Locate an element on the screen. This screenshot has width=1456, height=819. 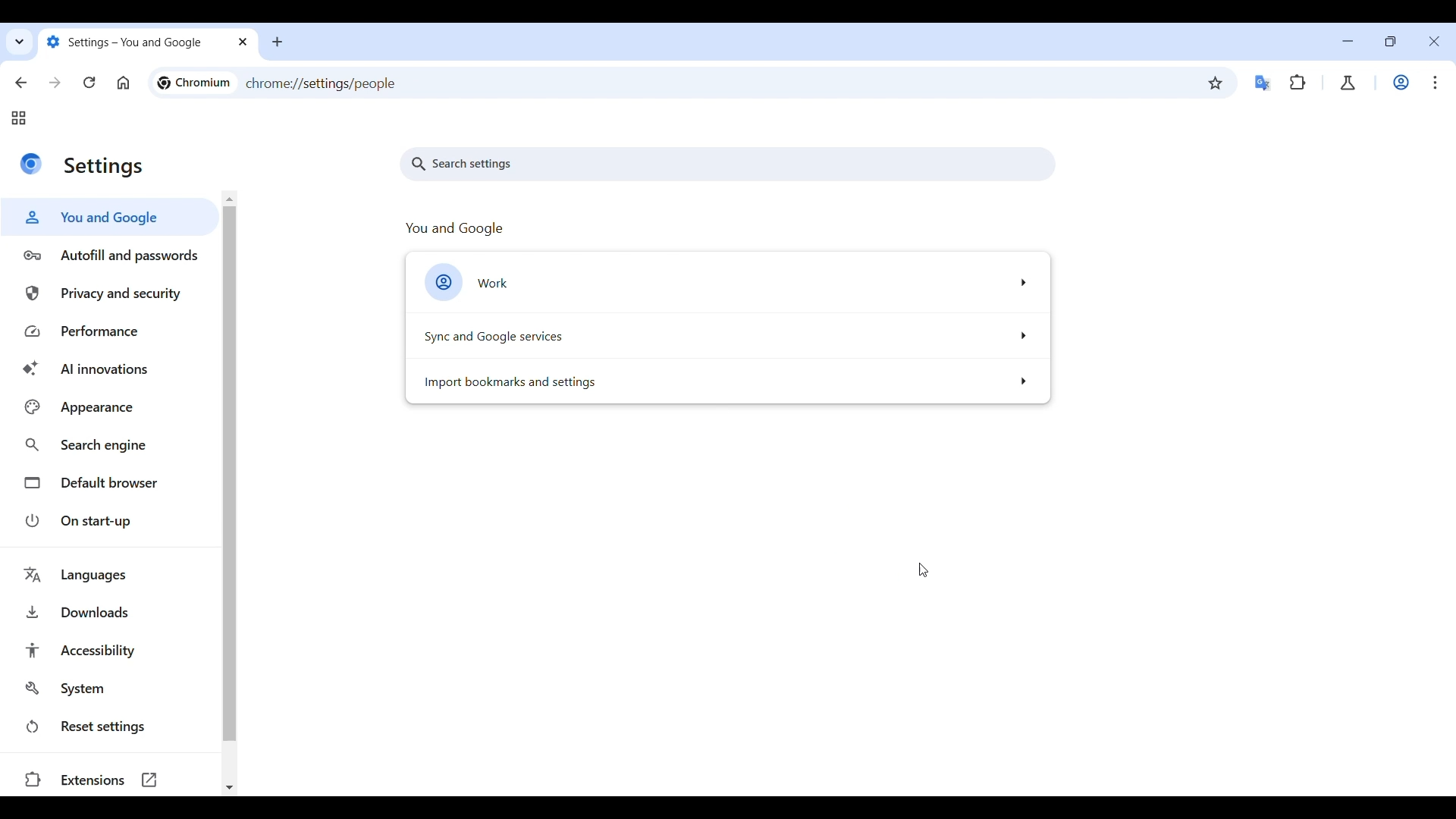
Accessibility is located at coordinates (111, 651).